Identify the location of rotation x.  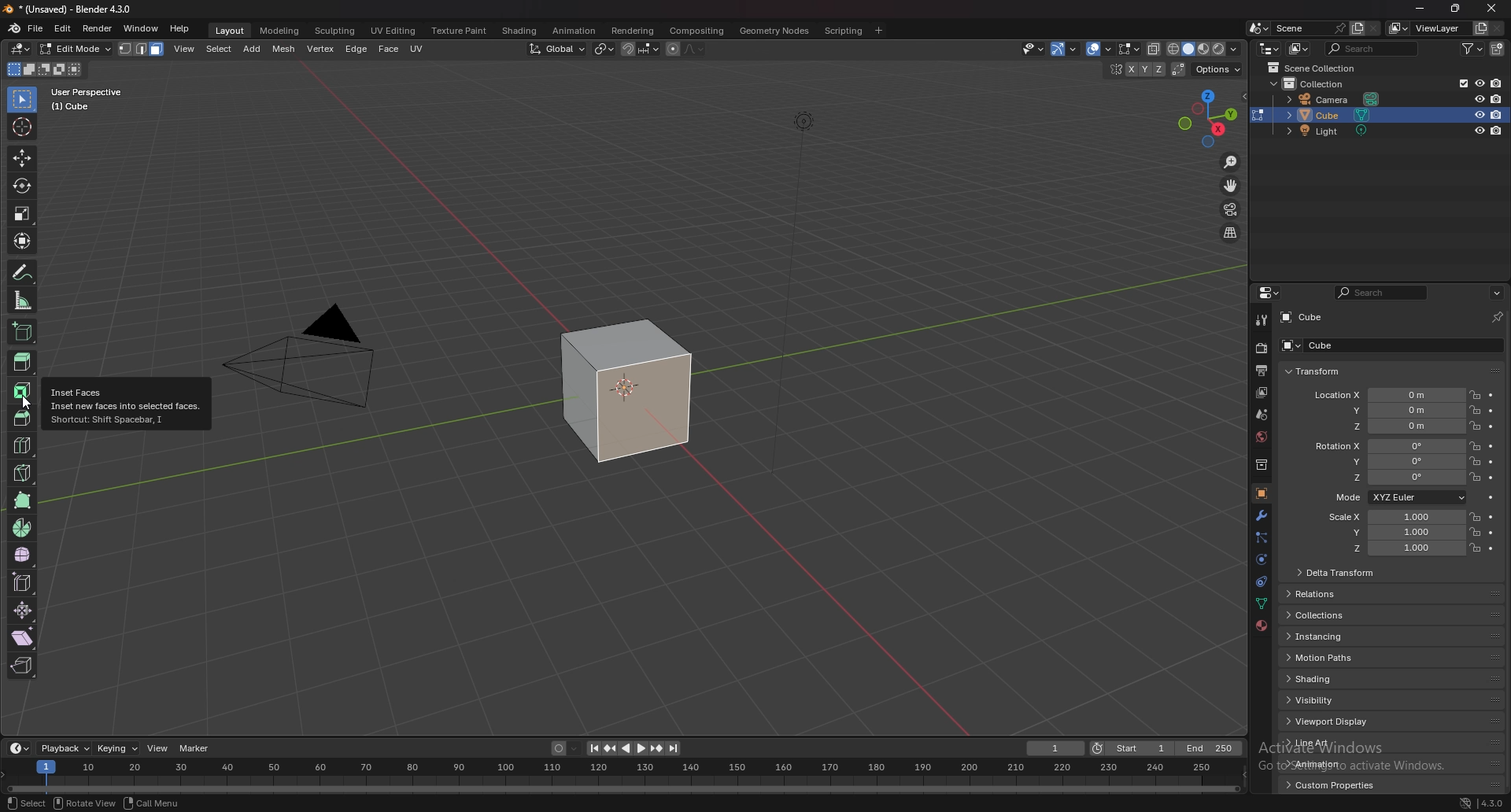
(1388, 446).